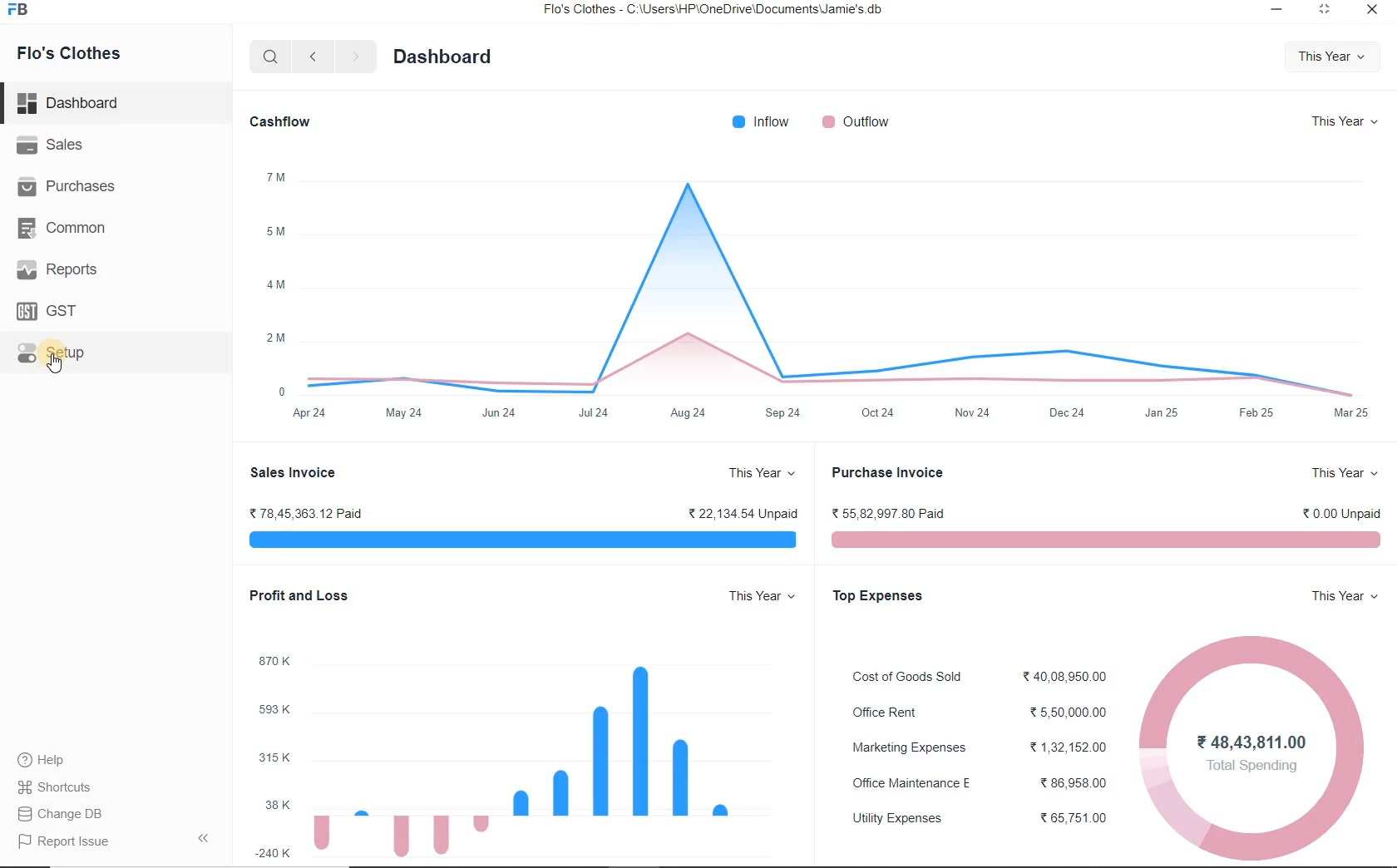  Describe the element at coordinates (62, 816) in the screenshot. I see `Change DB` at that location.